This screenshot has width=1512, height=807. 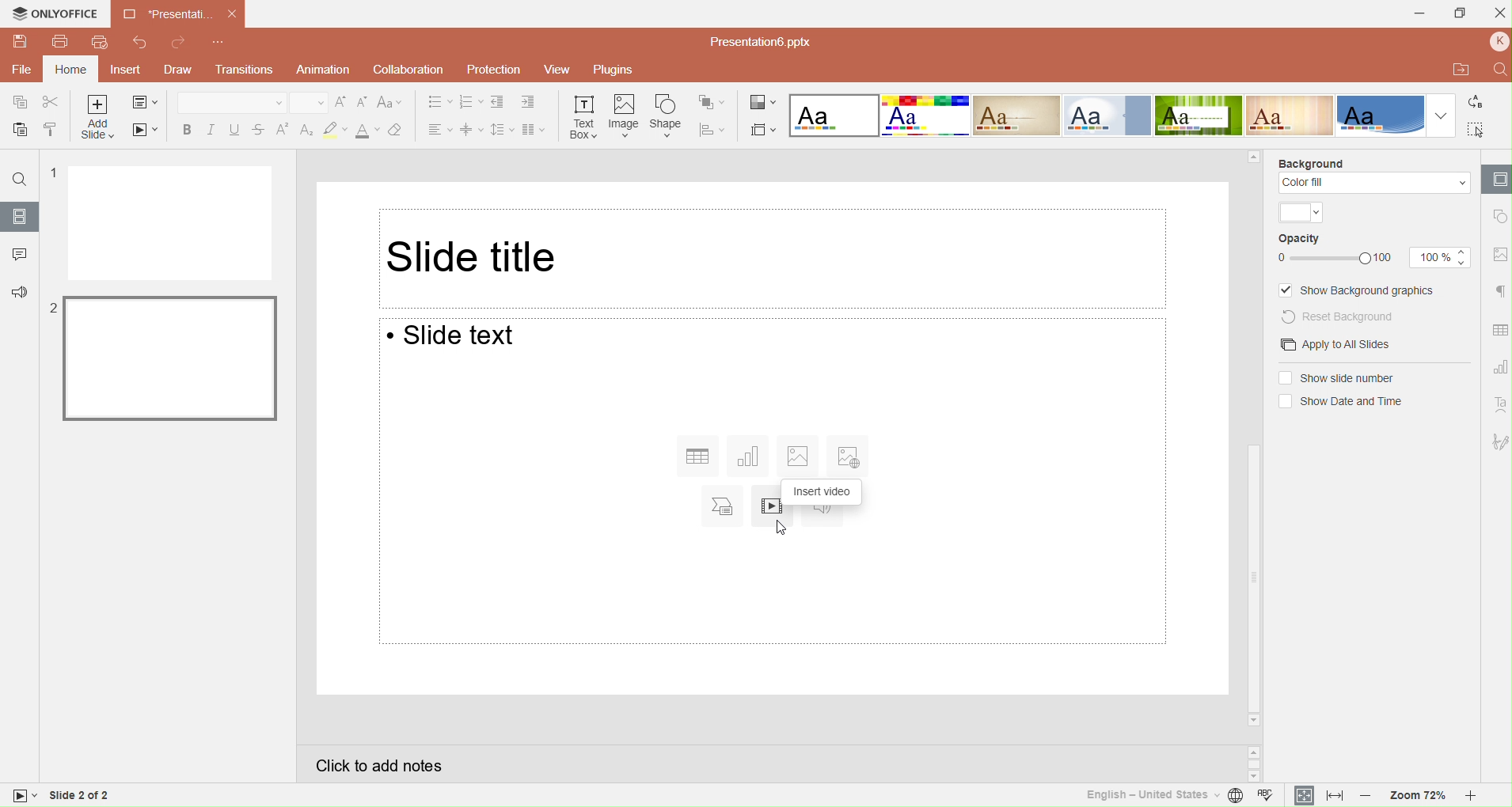 I want to click on Home, so click(x=71, y=68).